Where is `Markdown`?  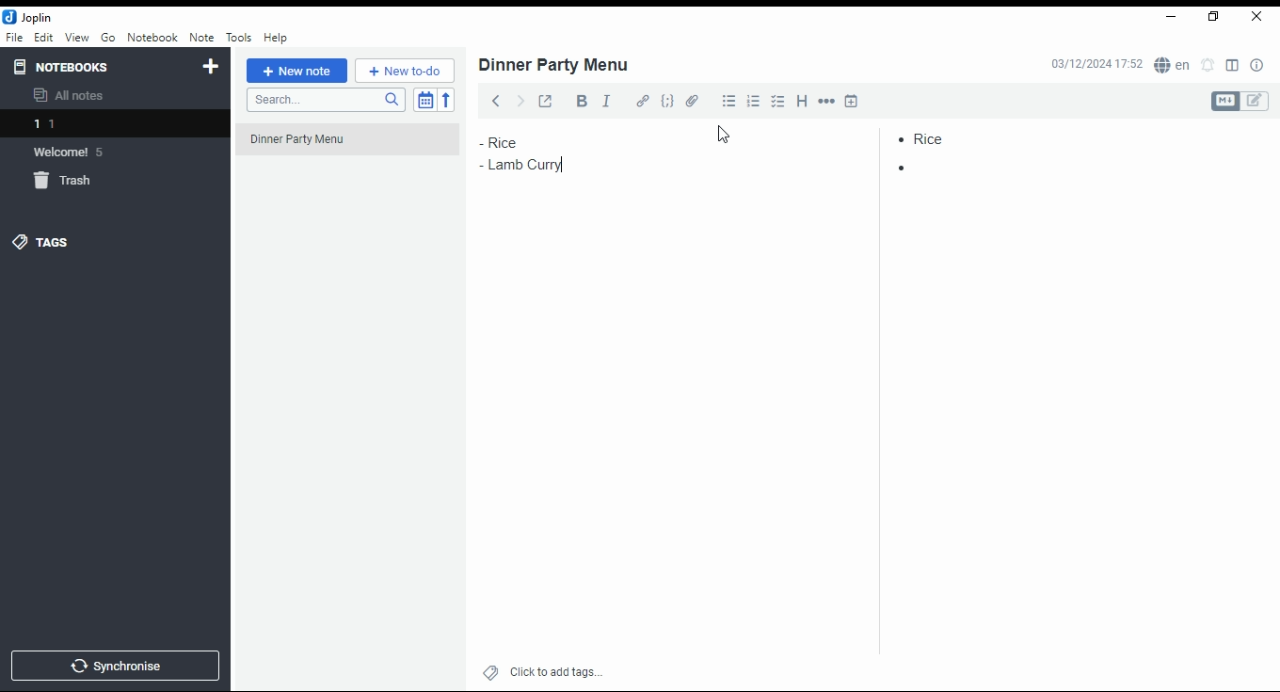 Markdown is located at coordinates (1224, 101).